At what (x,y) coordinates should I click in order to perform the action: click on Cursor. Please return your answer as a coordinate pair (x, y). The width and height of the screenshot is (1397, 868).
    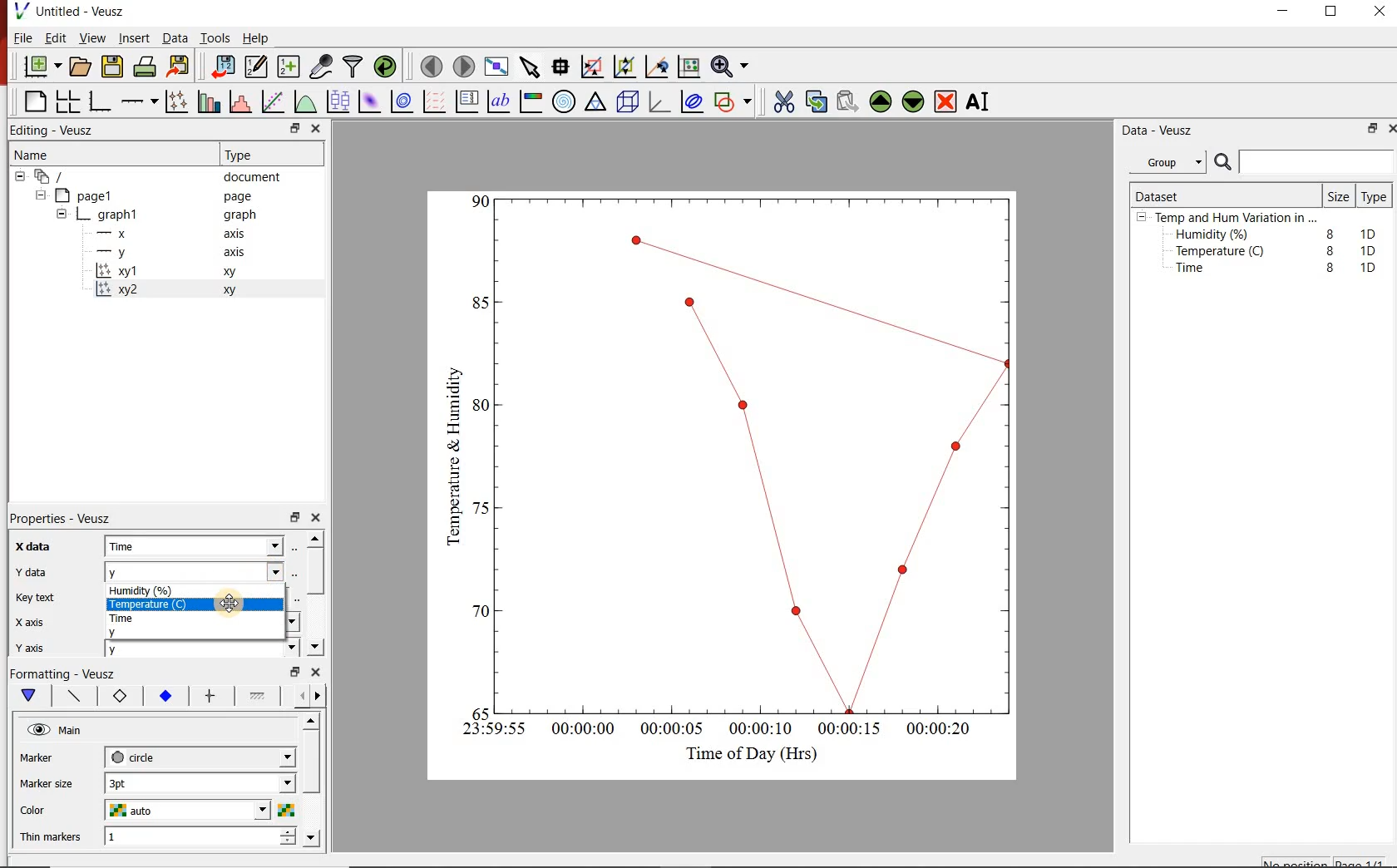
    Looking at the image, I should click on (237, 604).